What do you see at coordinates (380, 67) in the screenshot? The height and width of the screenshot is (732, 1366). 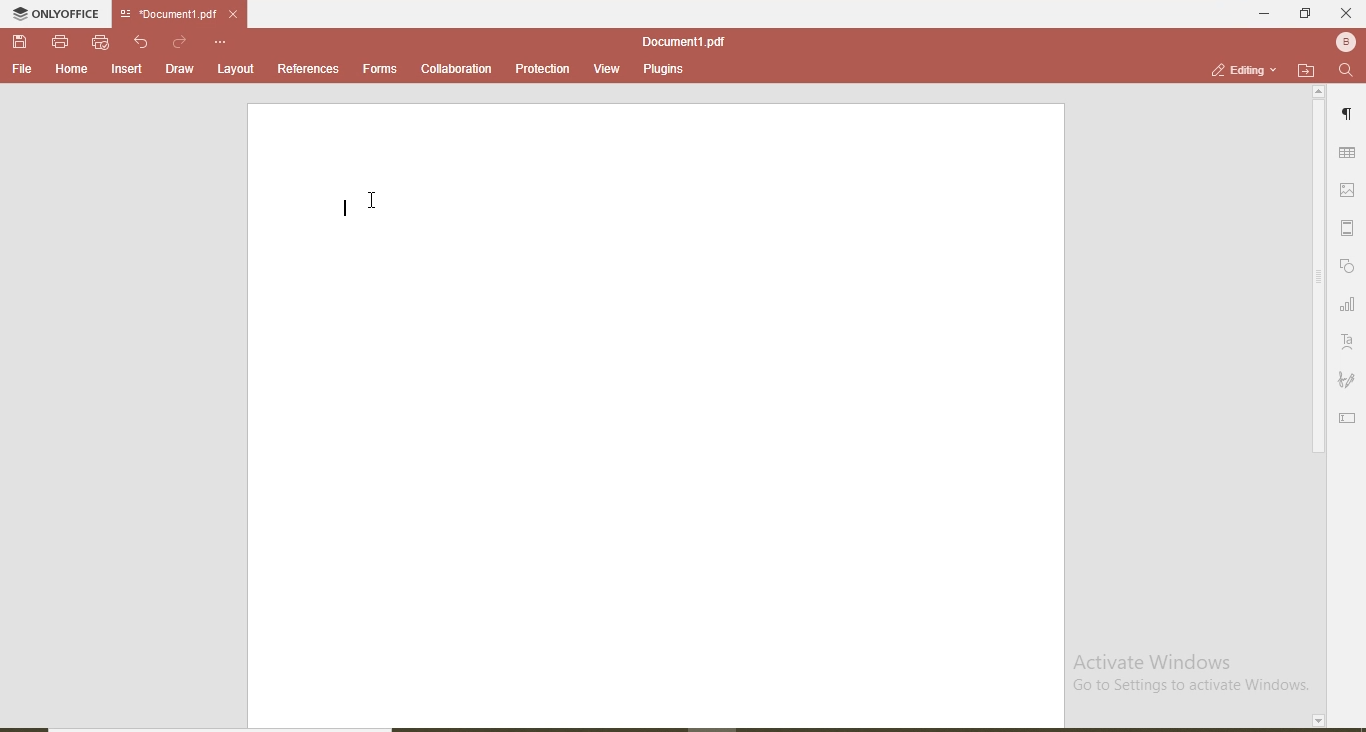 I see `forms` at bounding box center [380, 67].